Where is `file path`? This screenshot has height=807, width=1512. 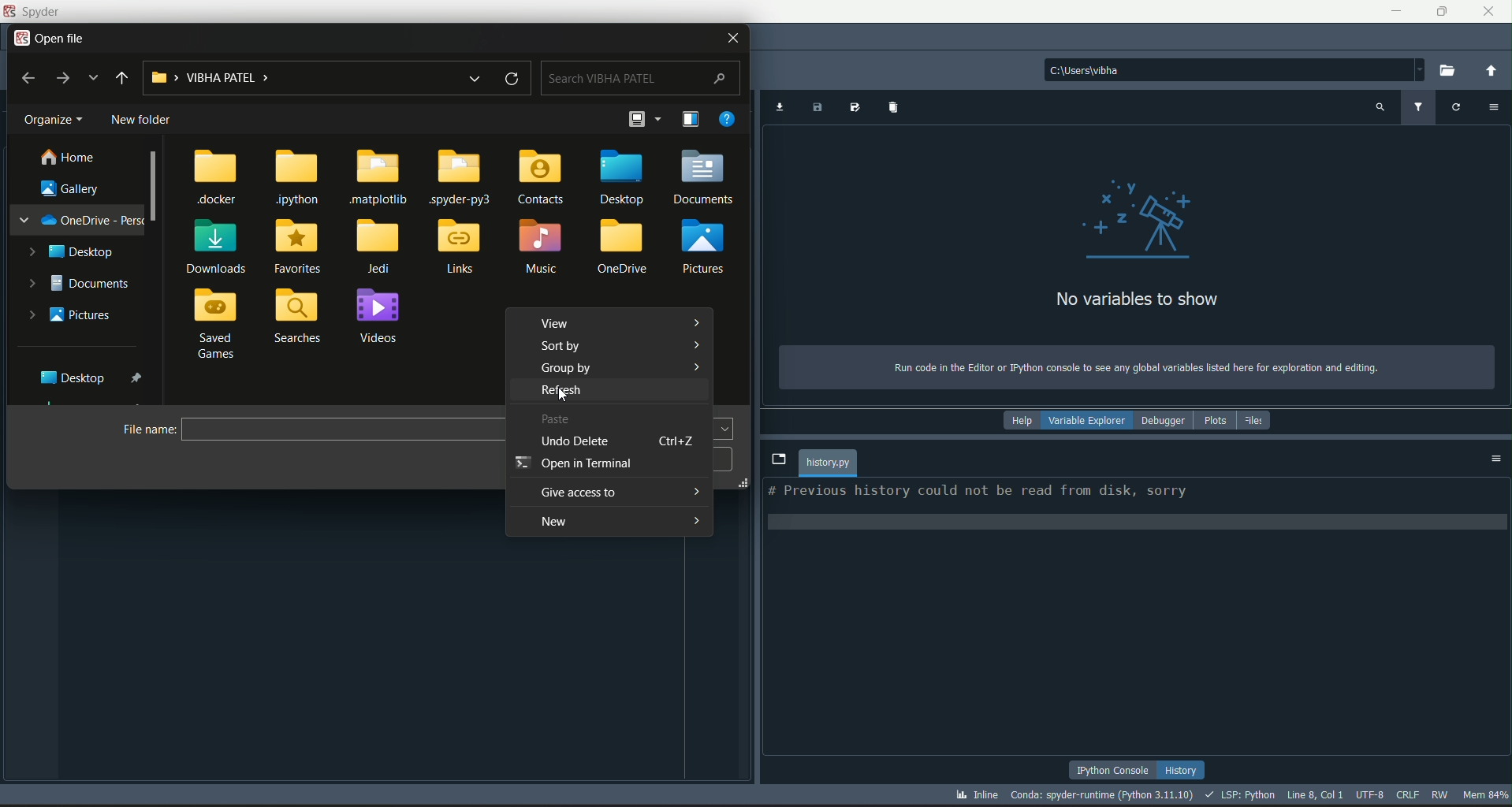 file path is located at coordinates (1235, 69).